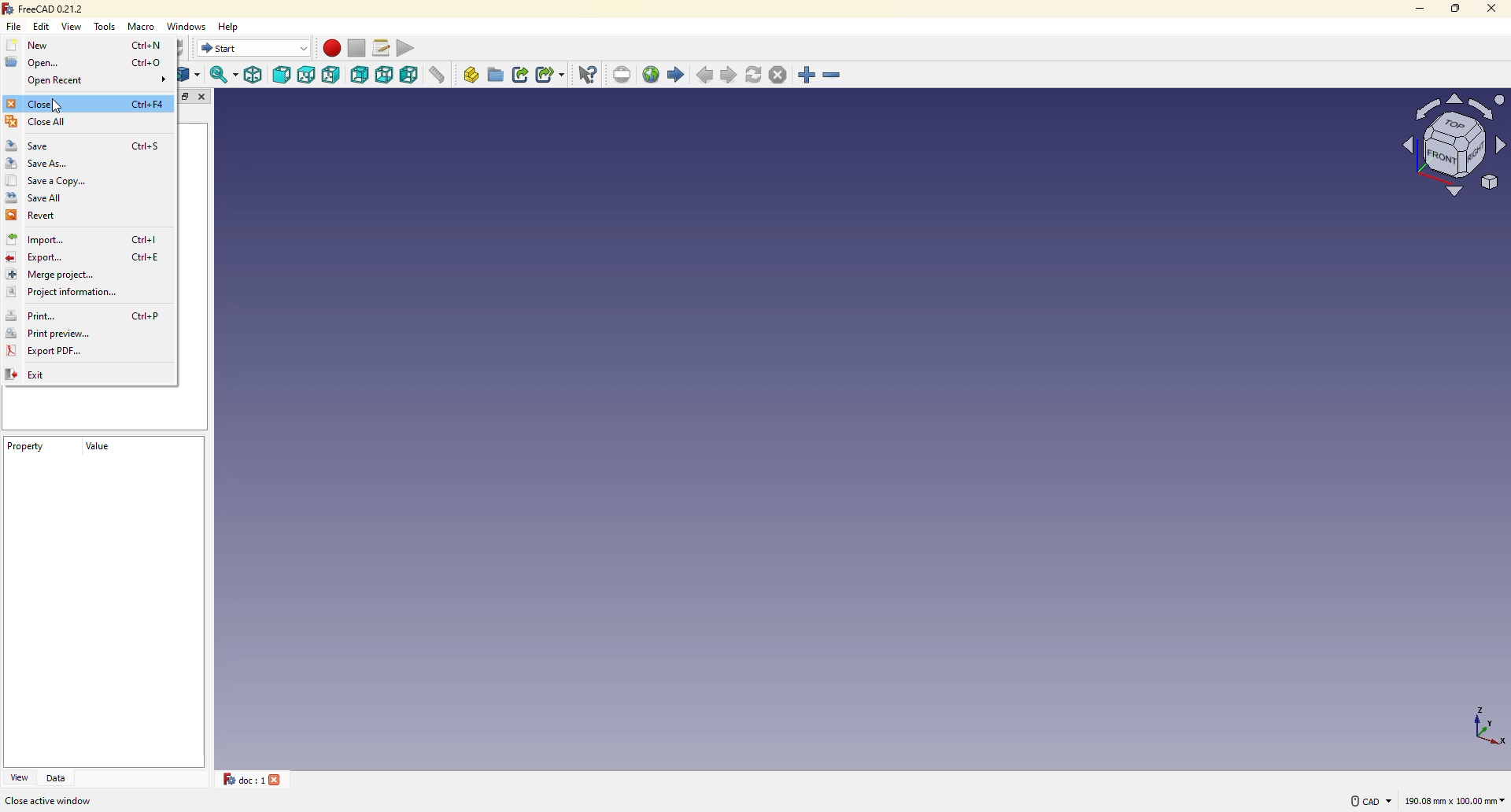  Describe the element at coordinates (54, 83) in the screenshot. I see `open recent` at that location.